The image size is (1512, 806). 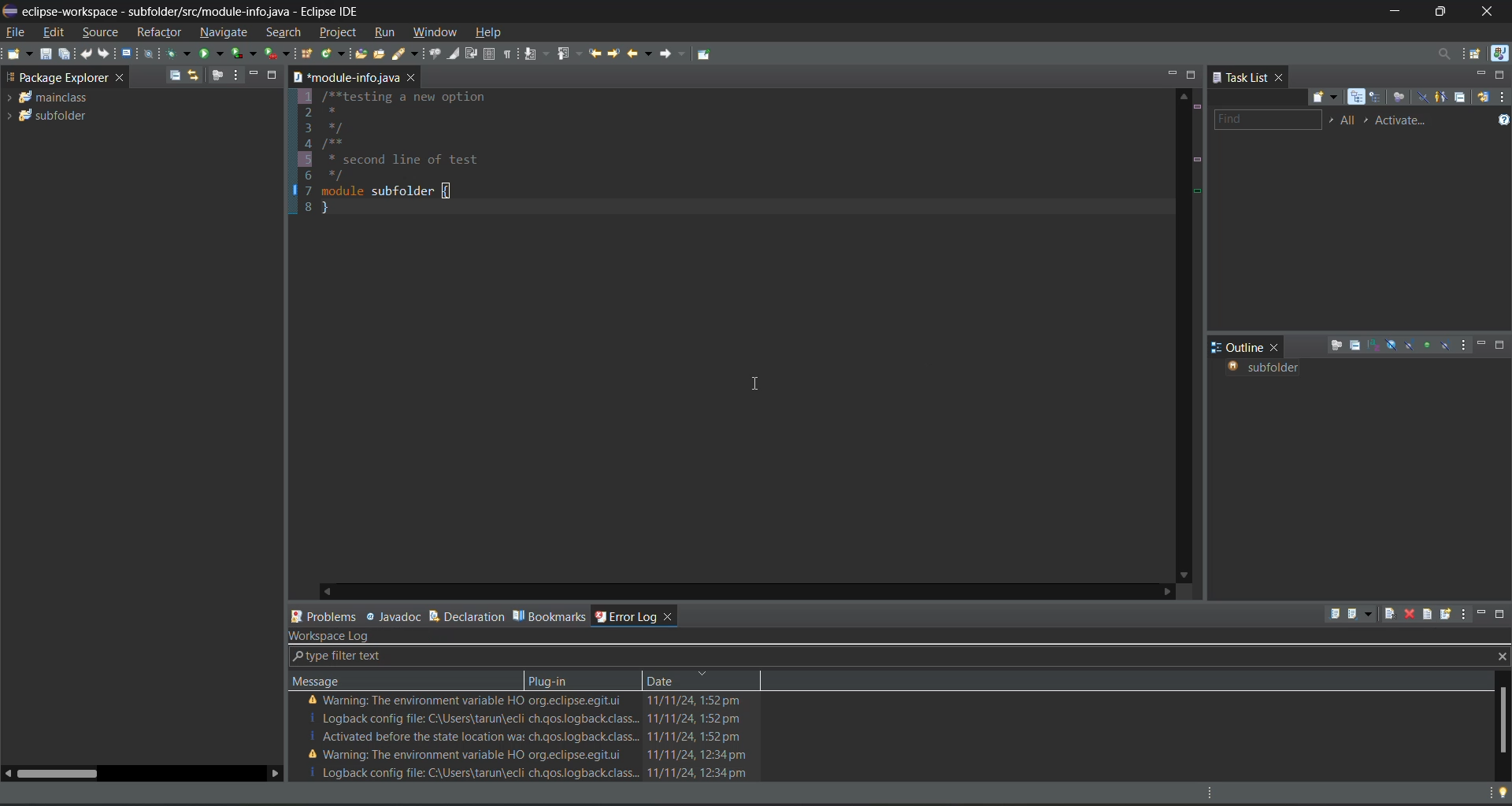 What do you see at coordinates (1369, 121) in the screenshot?
I see `select active task` at bounding box center [1369, 121].